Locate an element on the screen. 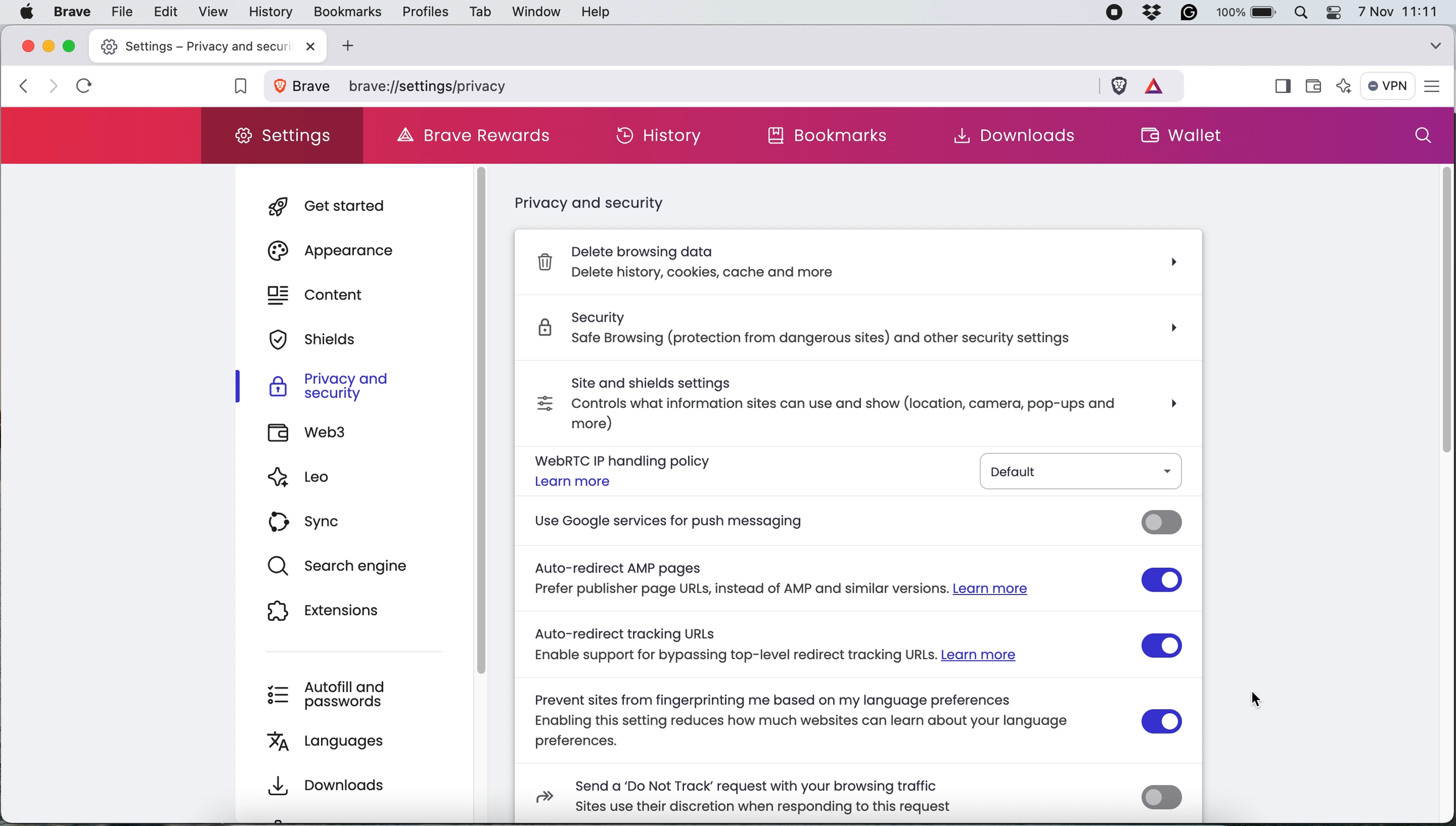 The image size is (1456, 826). profiles is located at coordinates (423, 12).